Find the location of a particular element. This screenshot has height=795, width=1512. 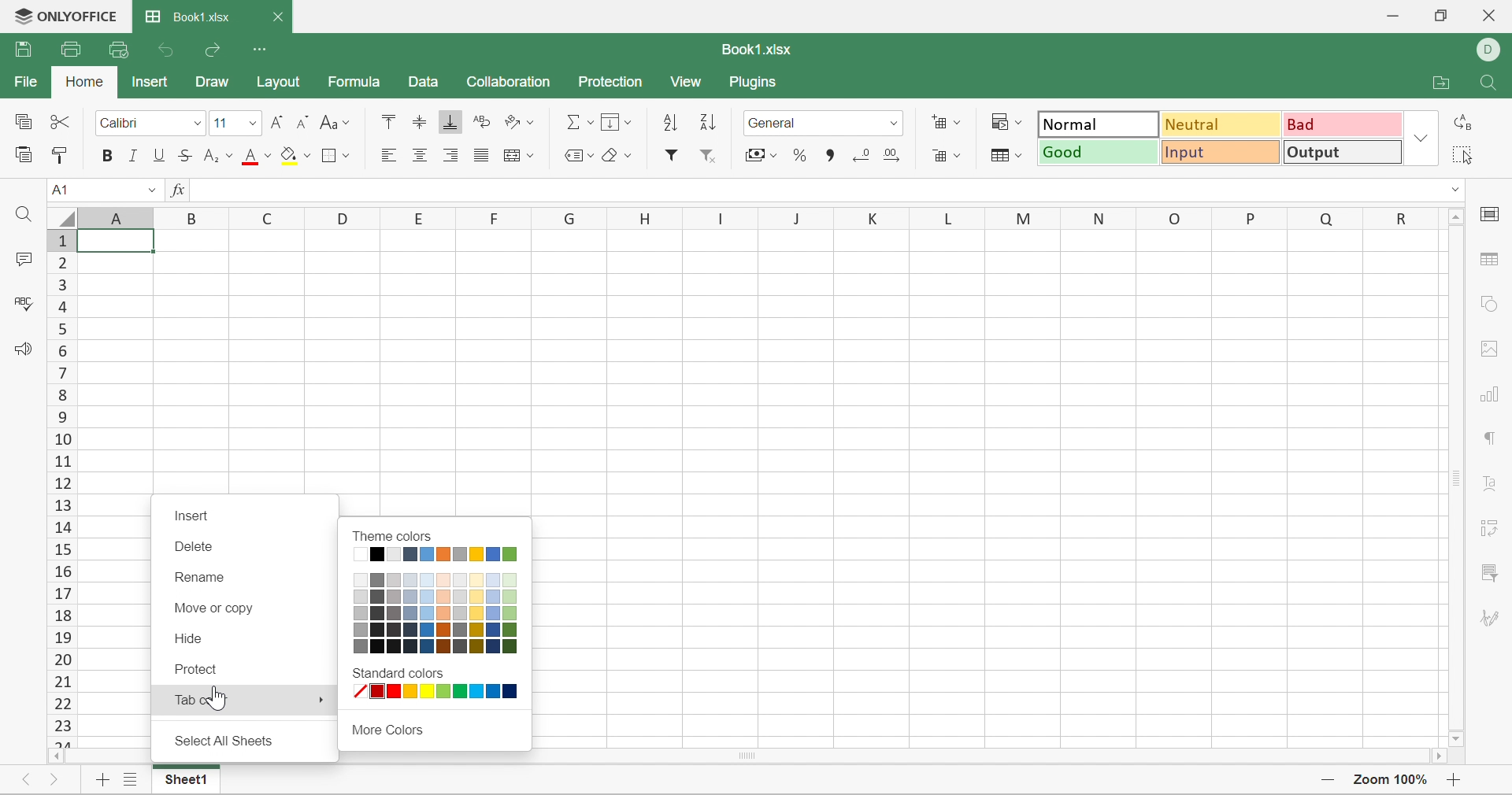

Scroll bar is located at coordinates (1456, 478).